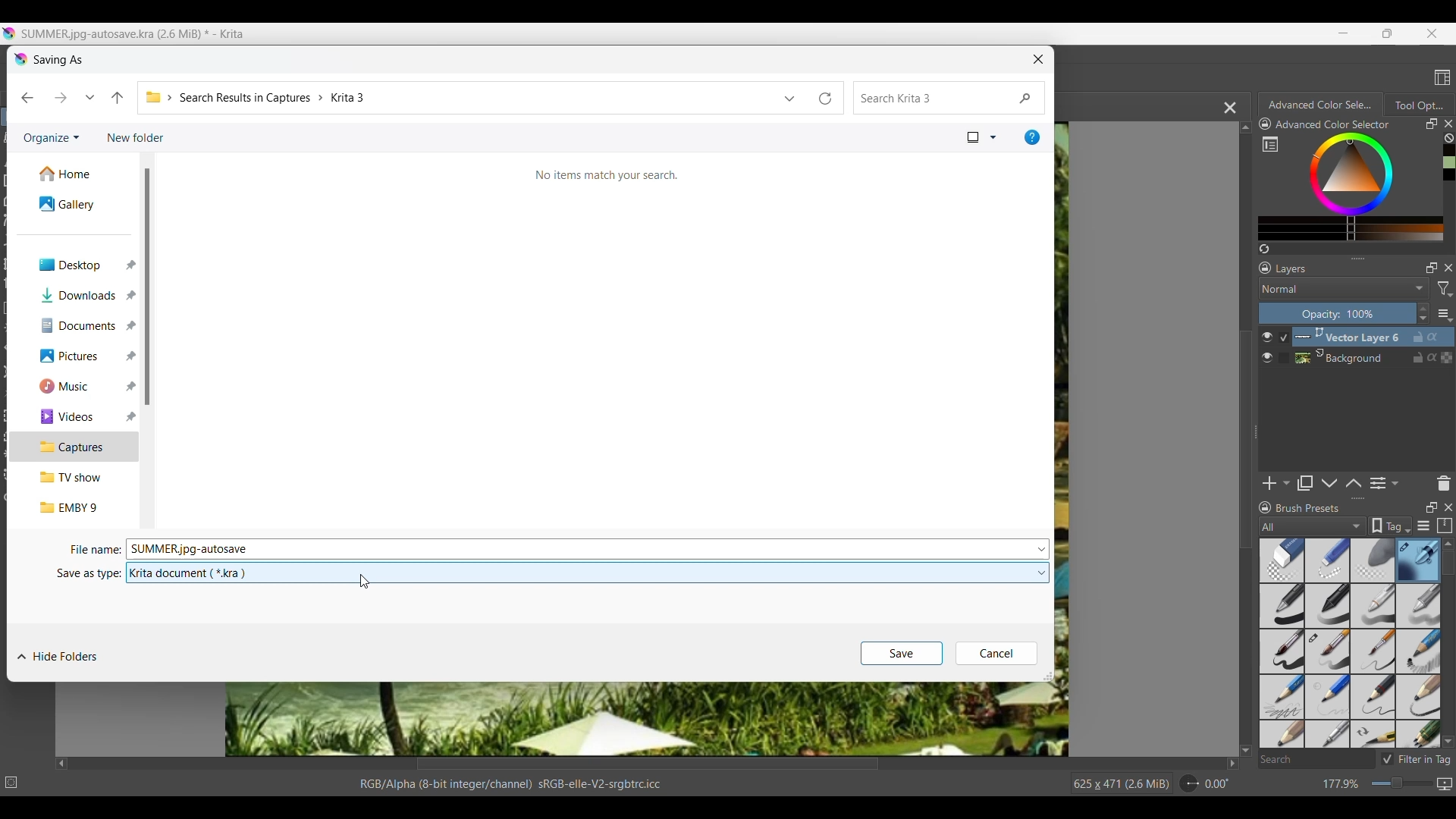 This screenshot has height=819, width=1456. Describe the element at coordinates (52, 139) in the screenshot. I see `Organize folder options` at that location.